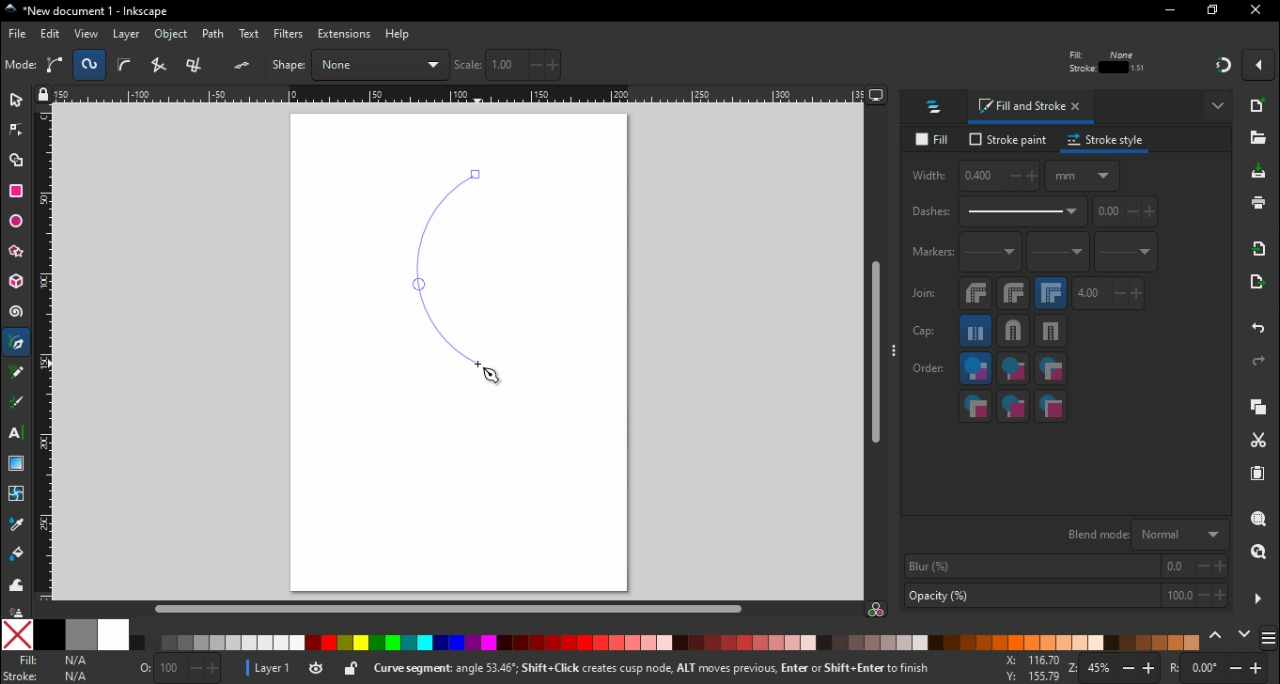  What do you see at coordinates (1067, 566) in the screenshot?
I see `blur` at bounding box center [1067, 566].